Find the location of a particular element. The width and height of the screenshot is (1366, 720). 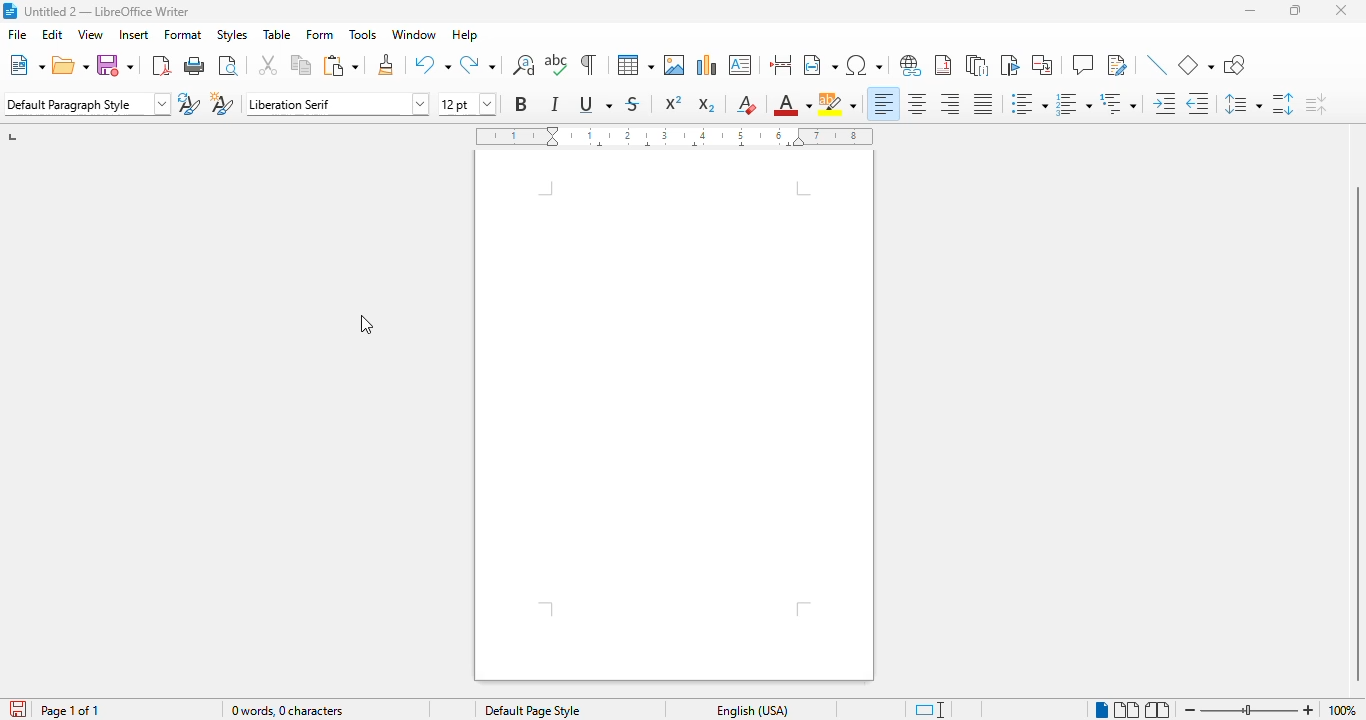

format is located at coordinates (184, 34).